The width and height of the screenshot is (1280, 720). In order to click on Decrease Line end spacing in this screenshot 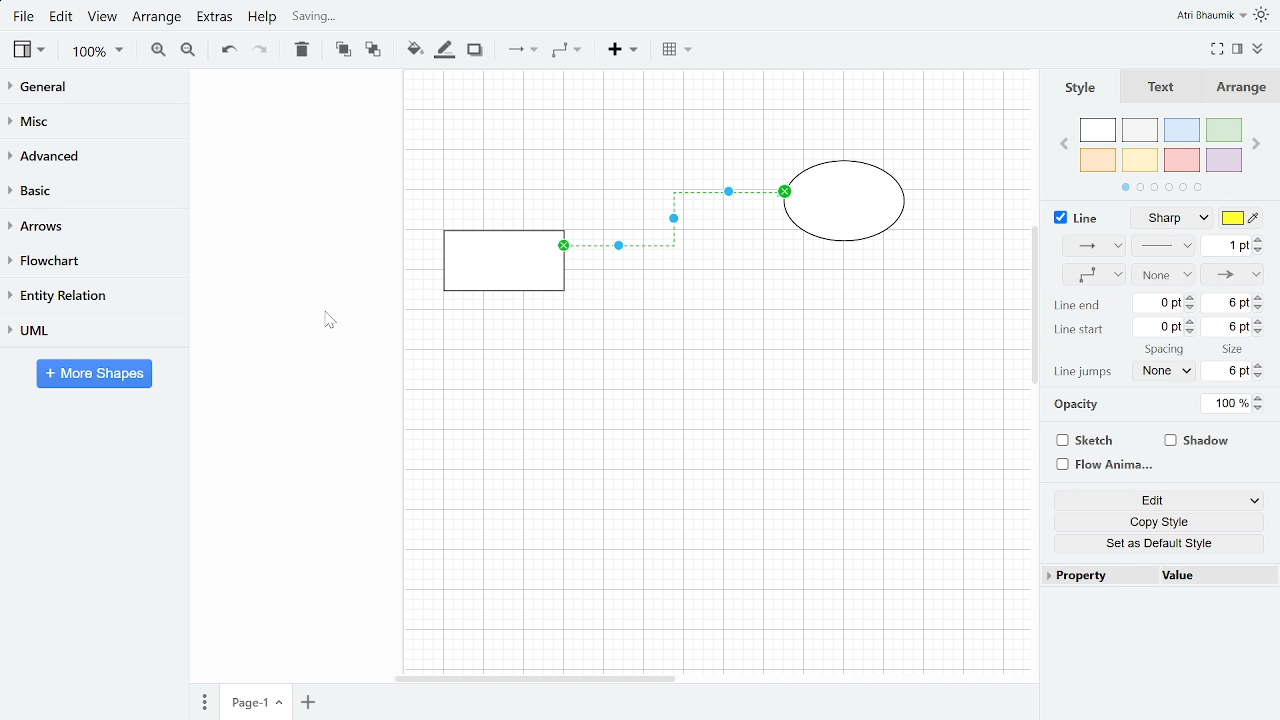, I will do `click(1191, 308)`.